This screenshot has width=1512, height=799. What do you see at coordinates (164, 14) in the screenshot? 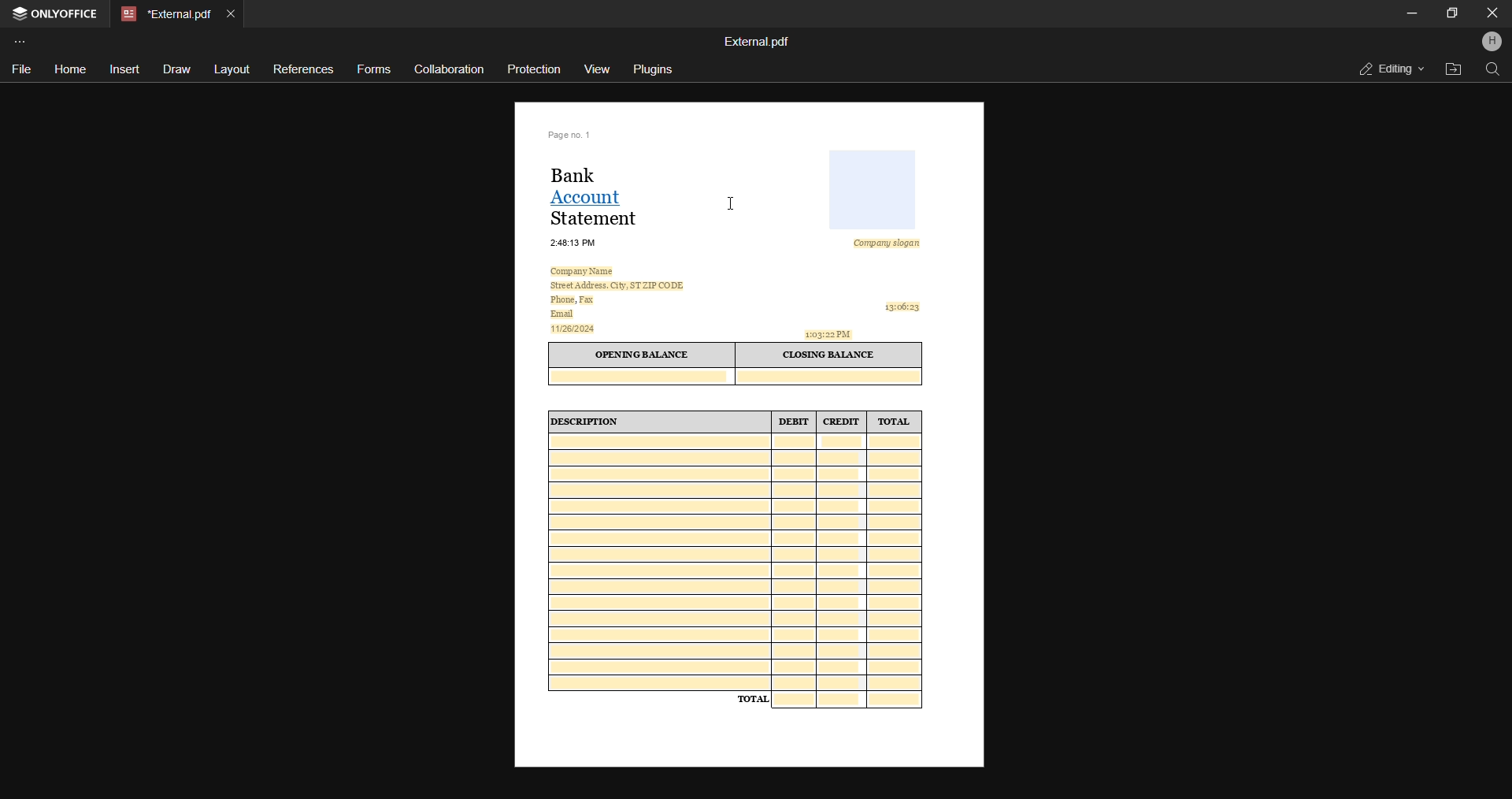
I see `External.pdf(current open tab)` at bounding box center [164, 14].